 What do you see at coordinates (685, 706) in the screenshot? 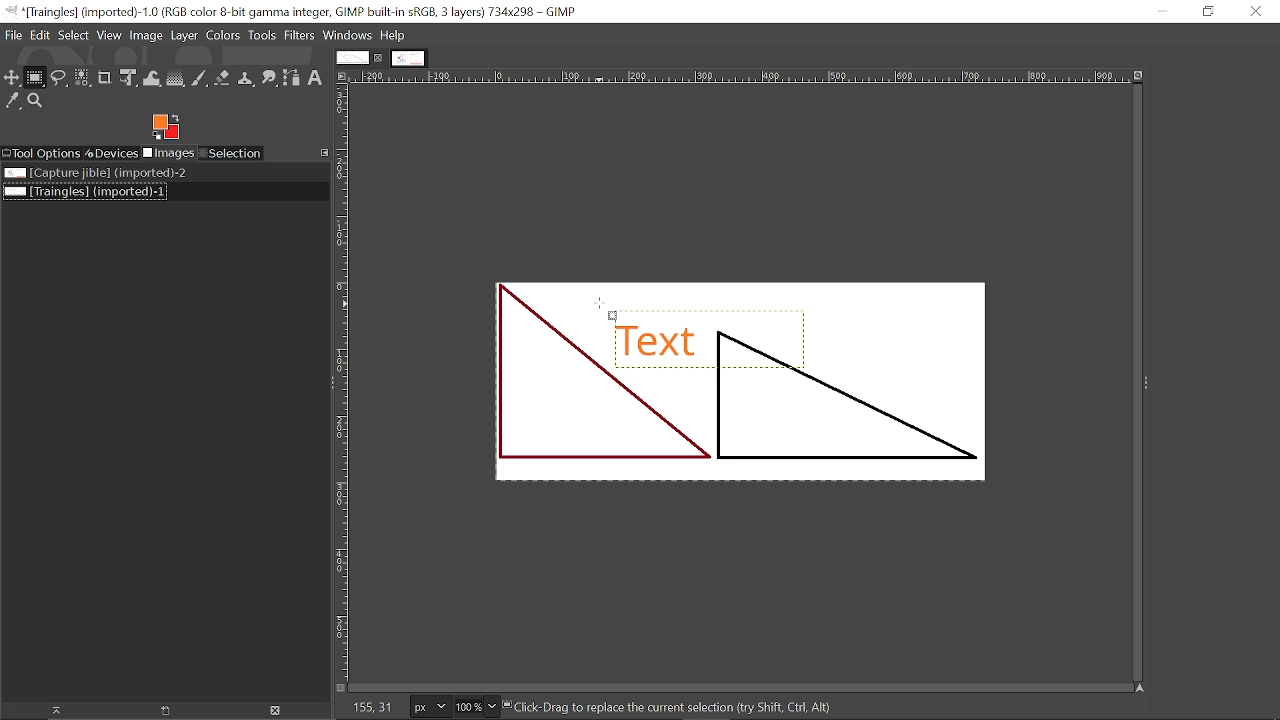
I see `“ck-Drag to replace the current selection dry Shift, Cirl, AR)` at bounding box center [685, 706].